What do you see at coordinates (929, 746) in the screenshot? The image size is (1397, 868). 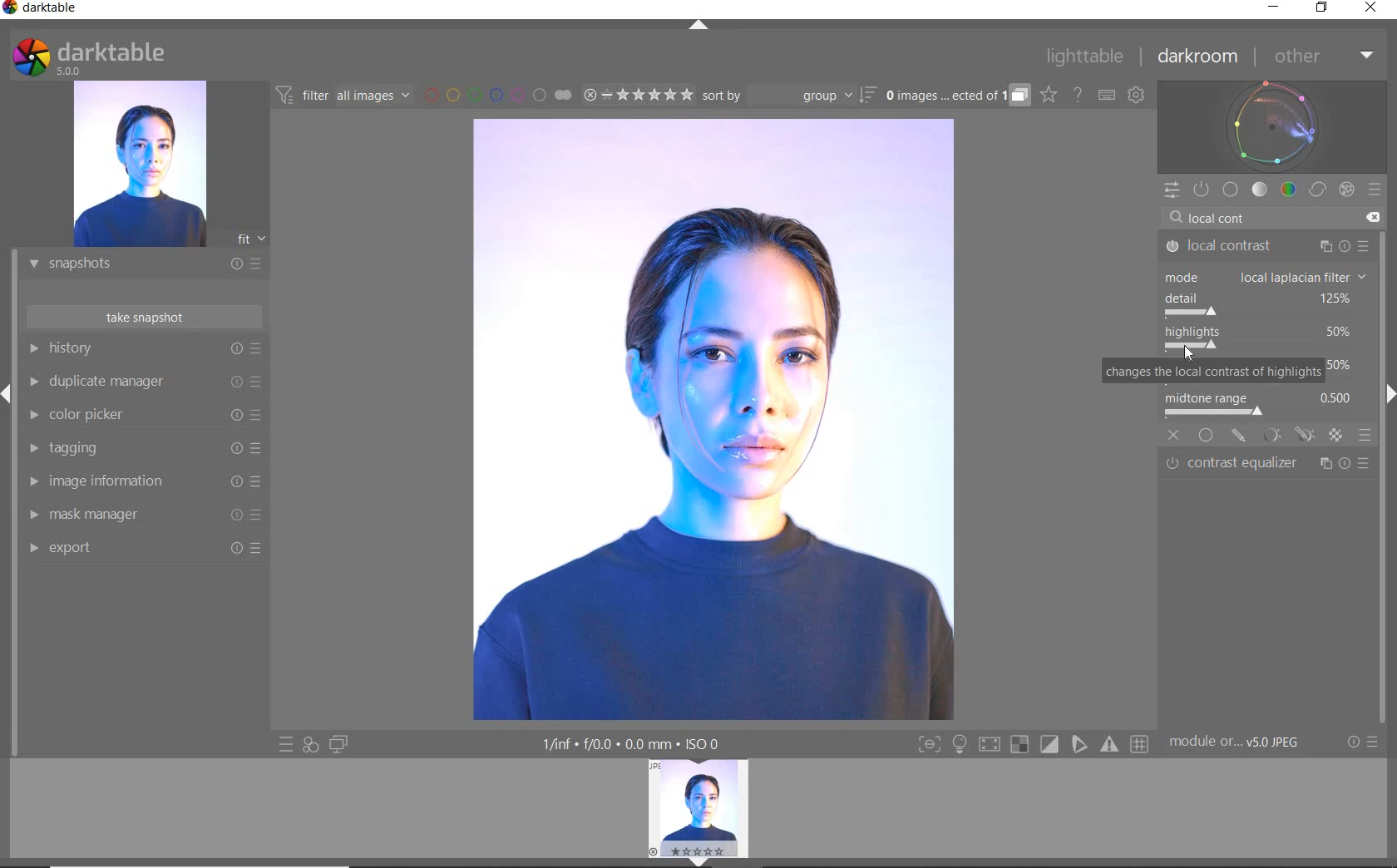 I see `Button` at bounding box center [929, 746].